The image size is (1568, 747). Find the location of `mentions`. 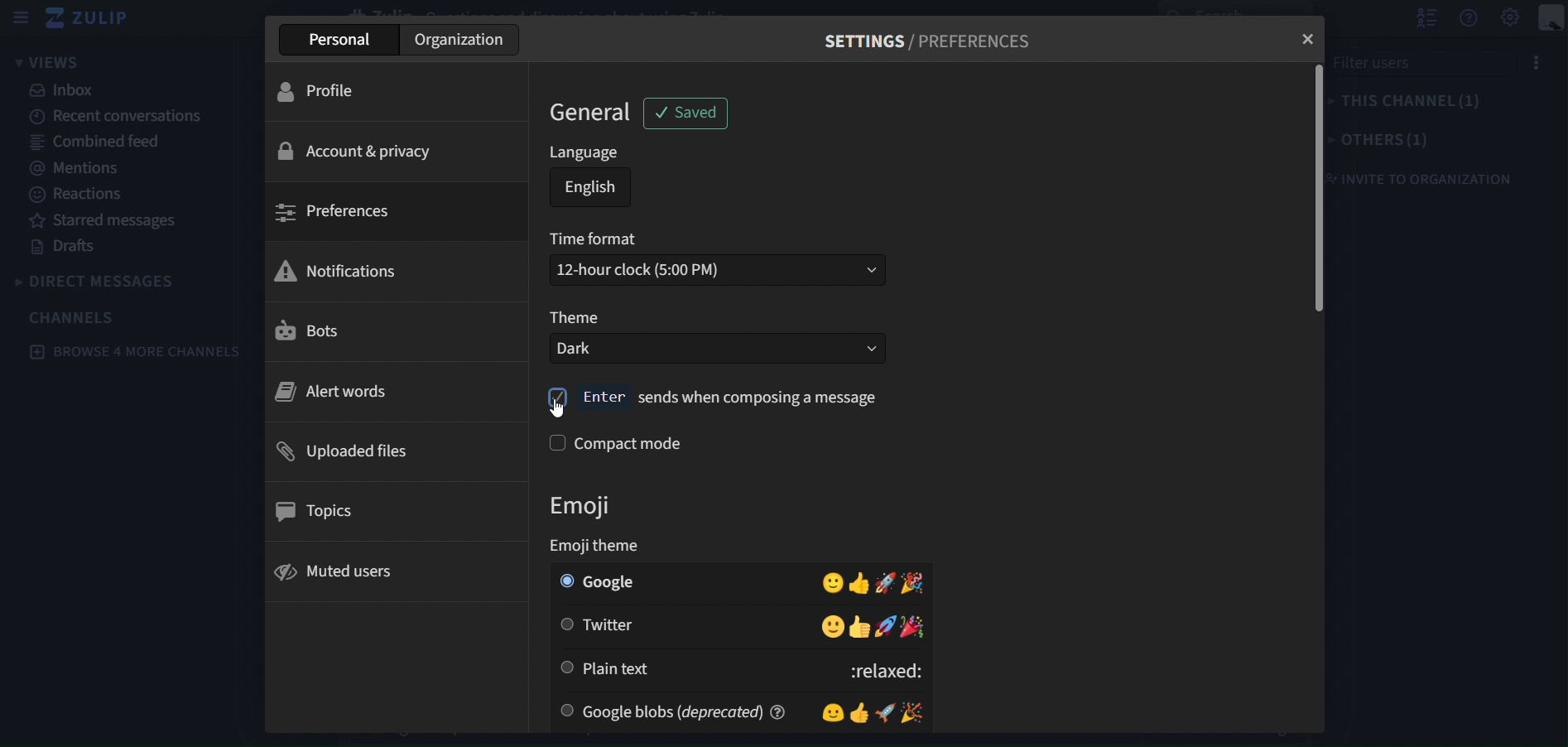

mentions is located at coordinates (71, 169).